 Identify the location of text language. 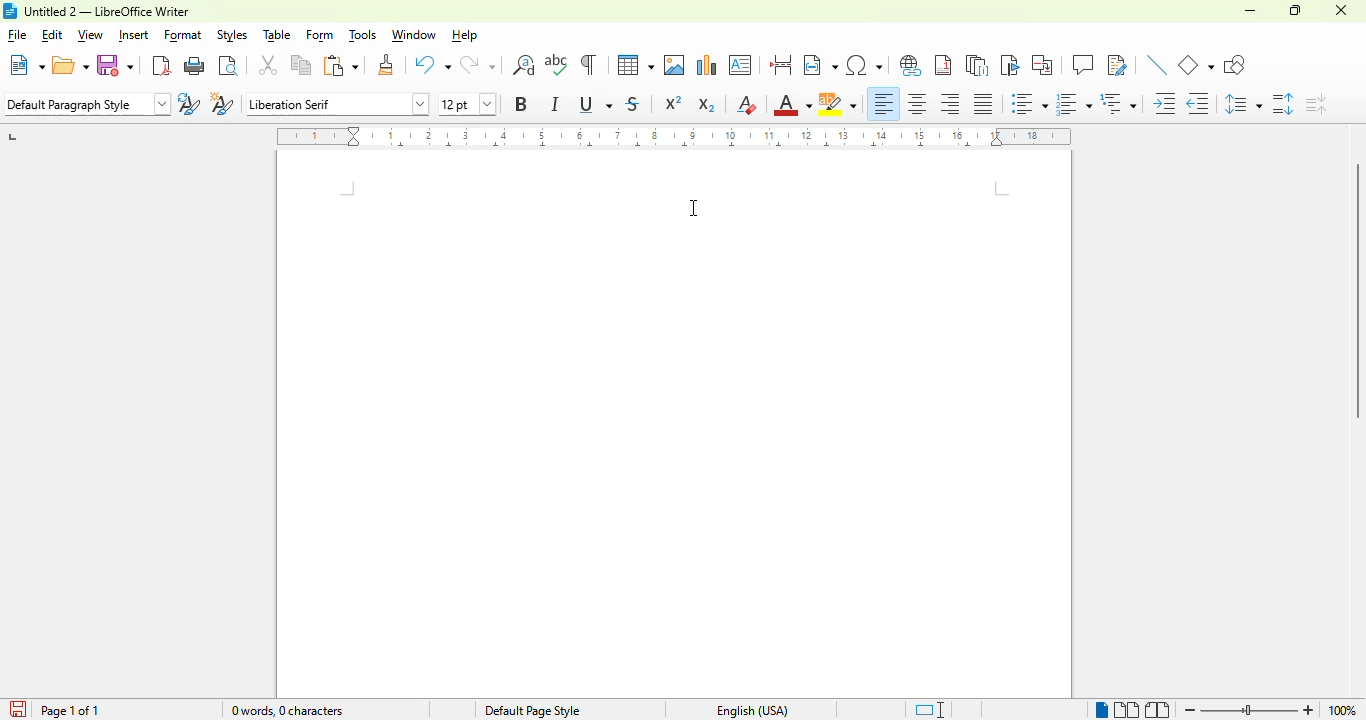
(753, 710).